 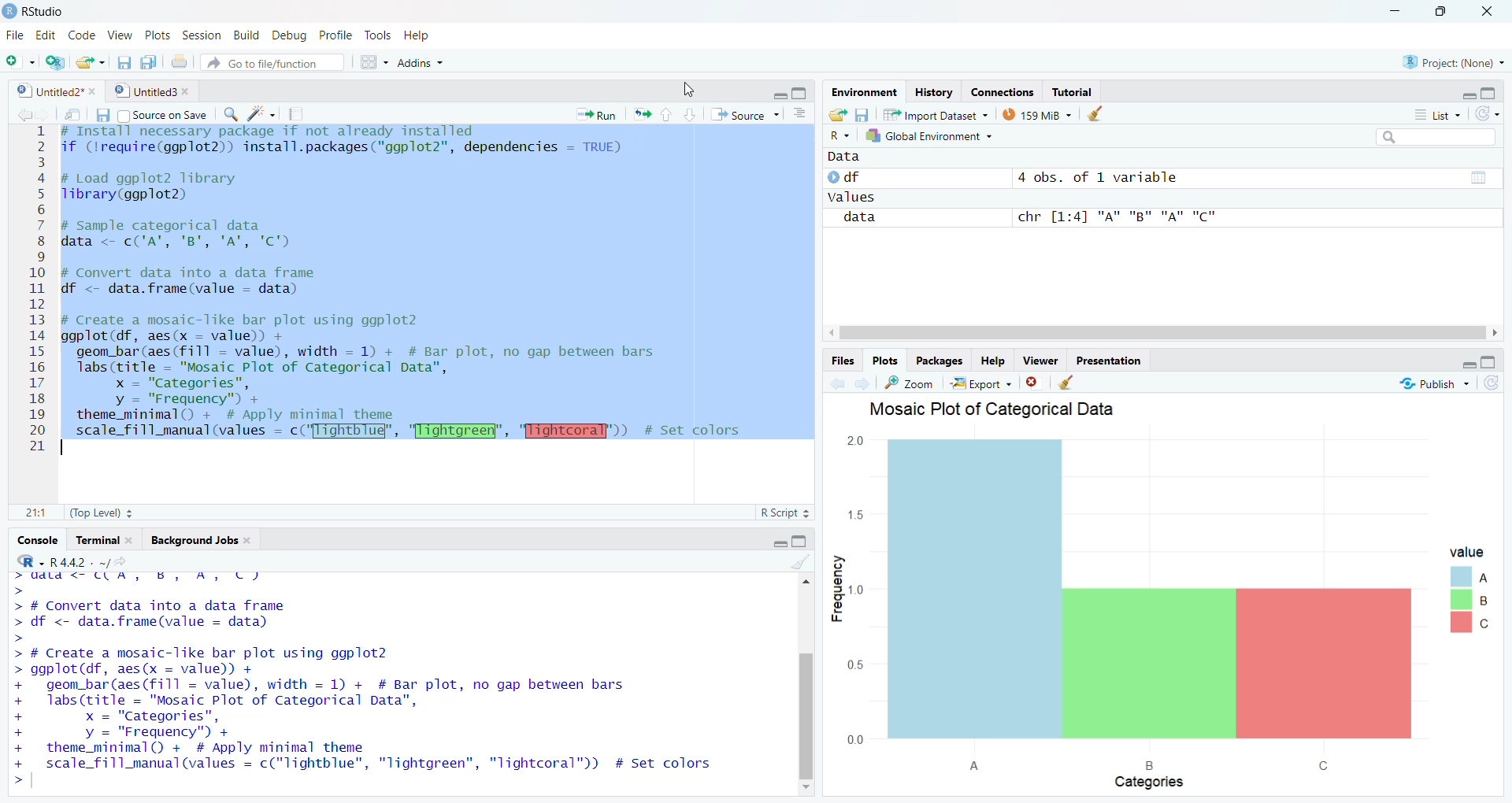 I want to click on Clean, so click(x=1098, y=113).